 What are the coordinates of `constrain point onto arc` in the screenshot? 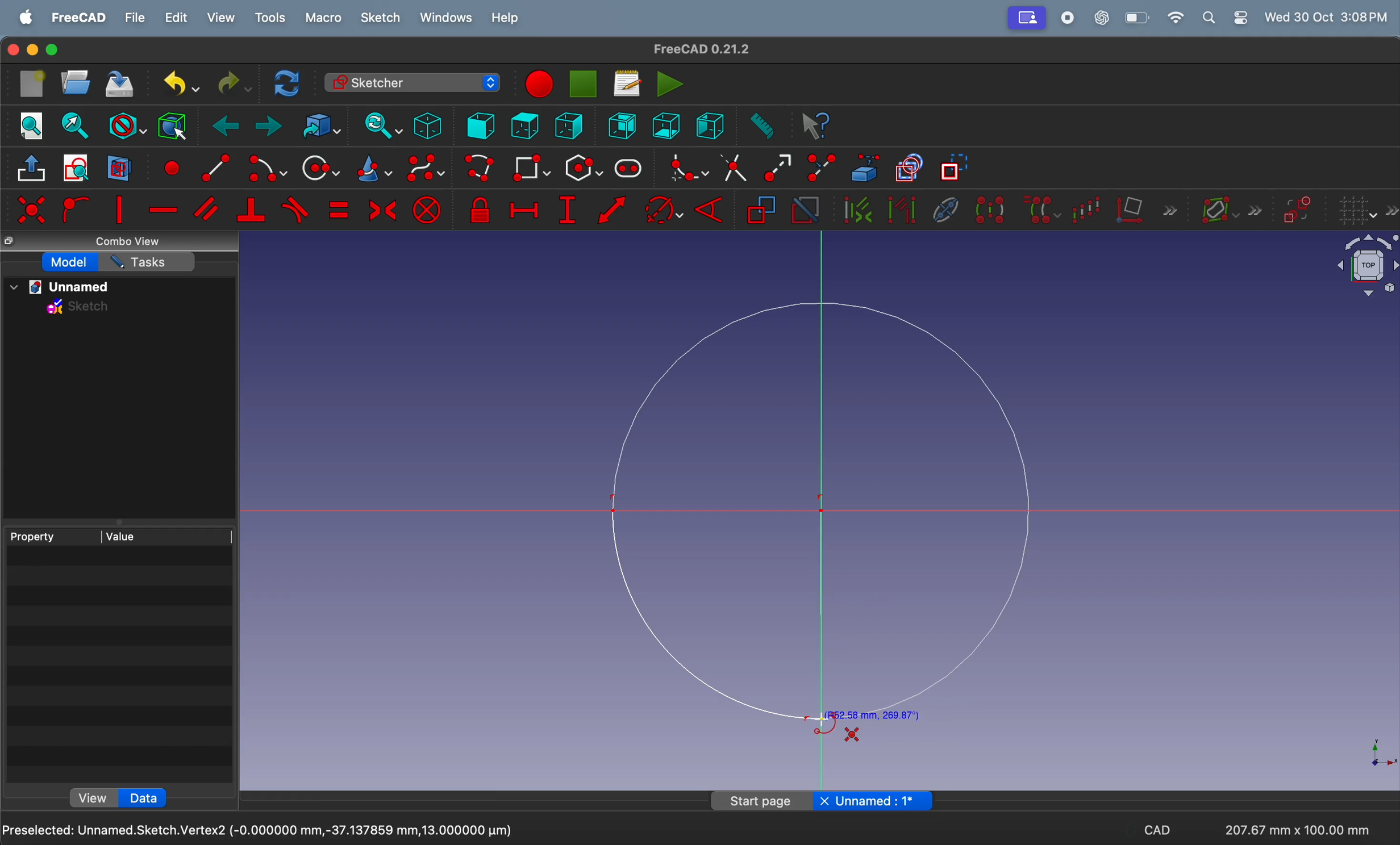 It's located at (74, 210).